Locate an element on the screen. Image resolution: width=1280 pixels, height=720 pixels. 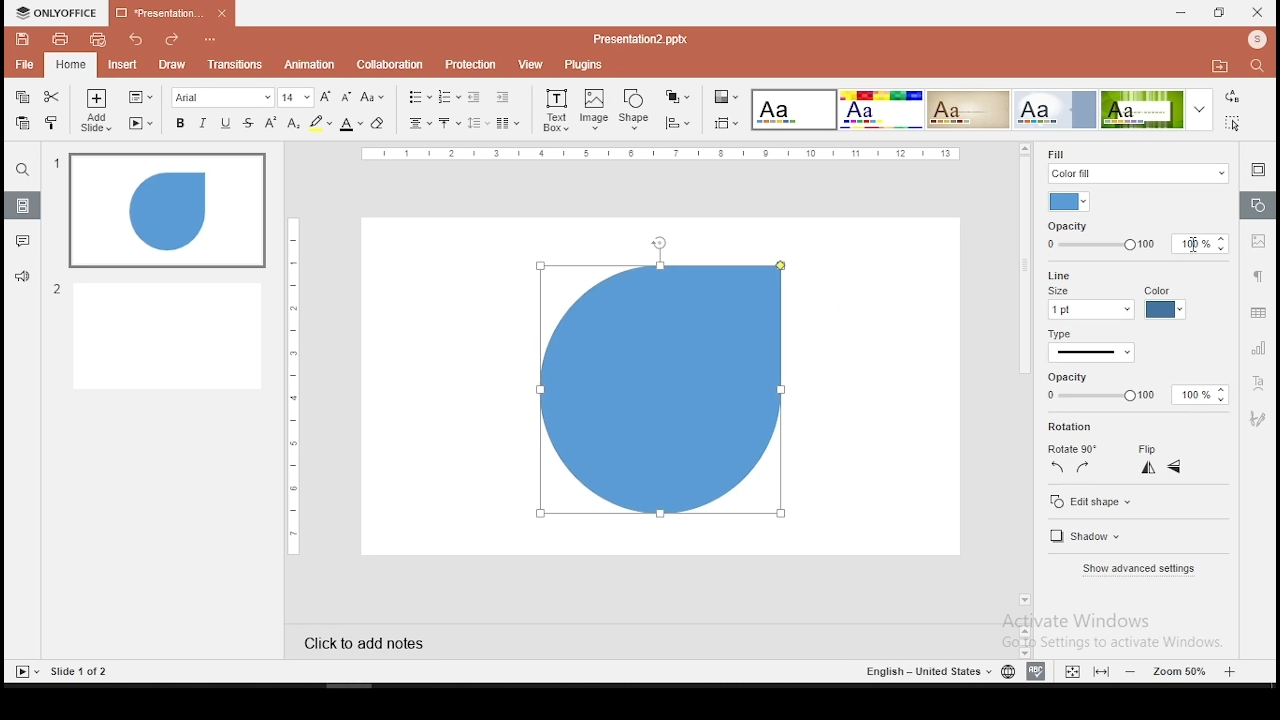
align objects is located at coordinates (677, 123).